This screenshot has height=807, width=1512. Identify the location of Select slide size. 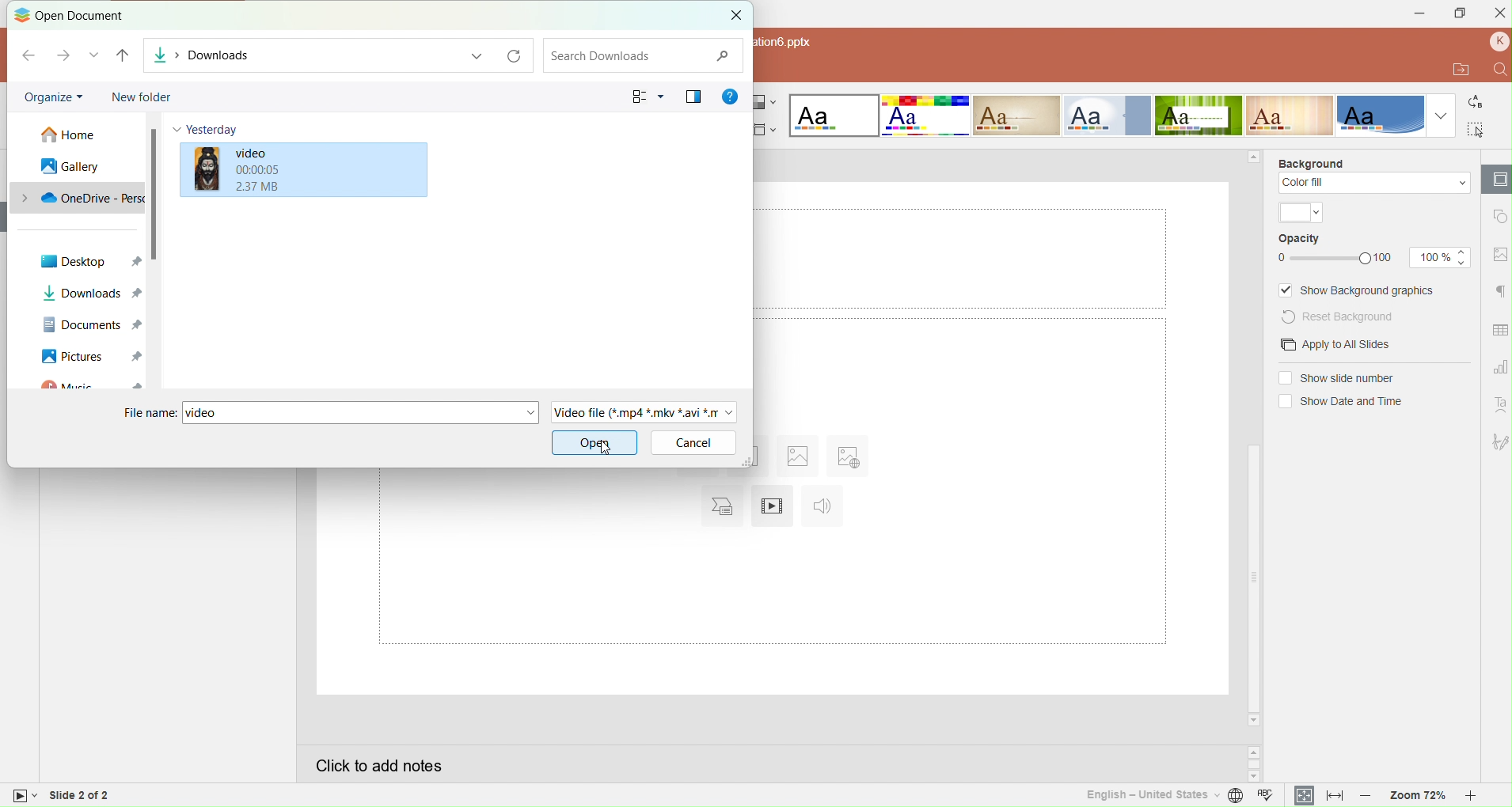
(767, 127).